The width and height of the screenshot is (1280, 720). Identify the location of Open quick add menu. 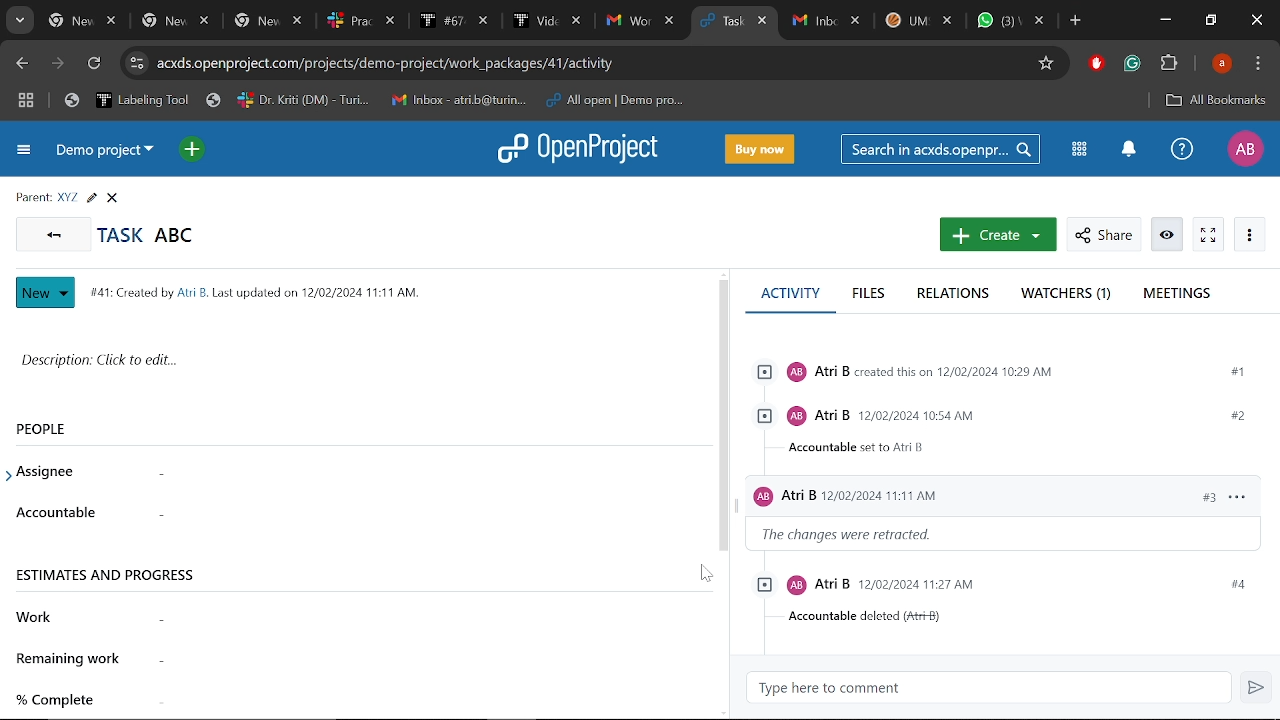
(194, 151).